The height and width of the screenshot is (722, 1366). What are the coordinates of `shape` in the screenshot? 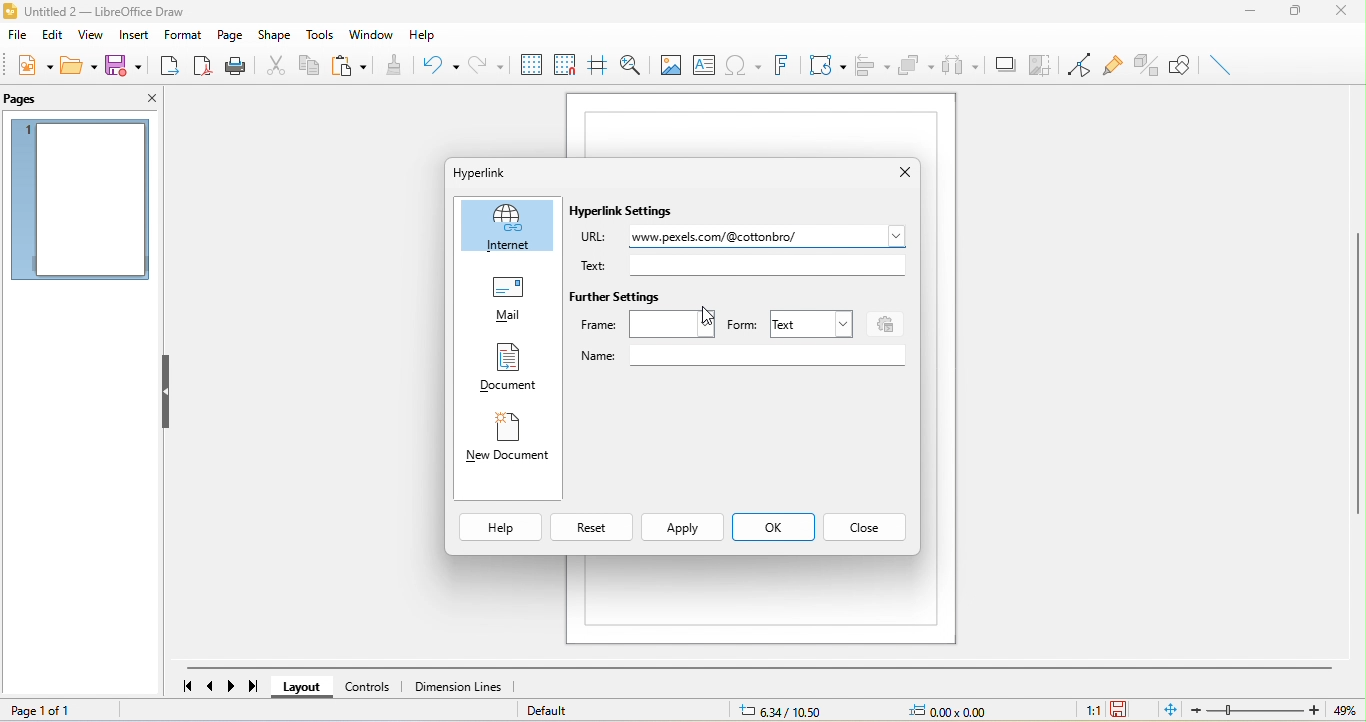 It's located at (274, 35).